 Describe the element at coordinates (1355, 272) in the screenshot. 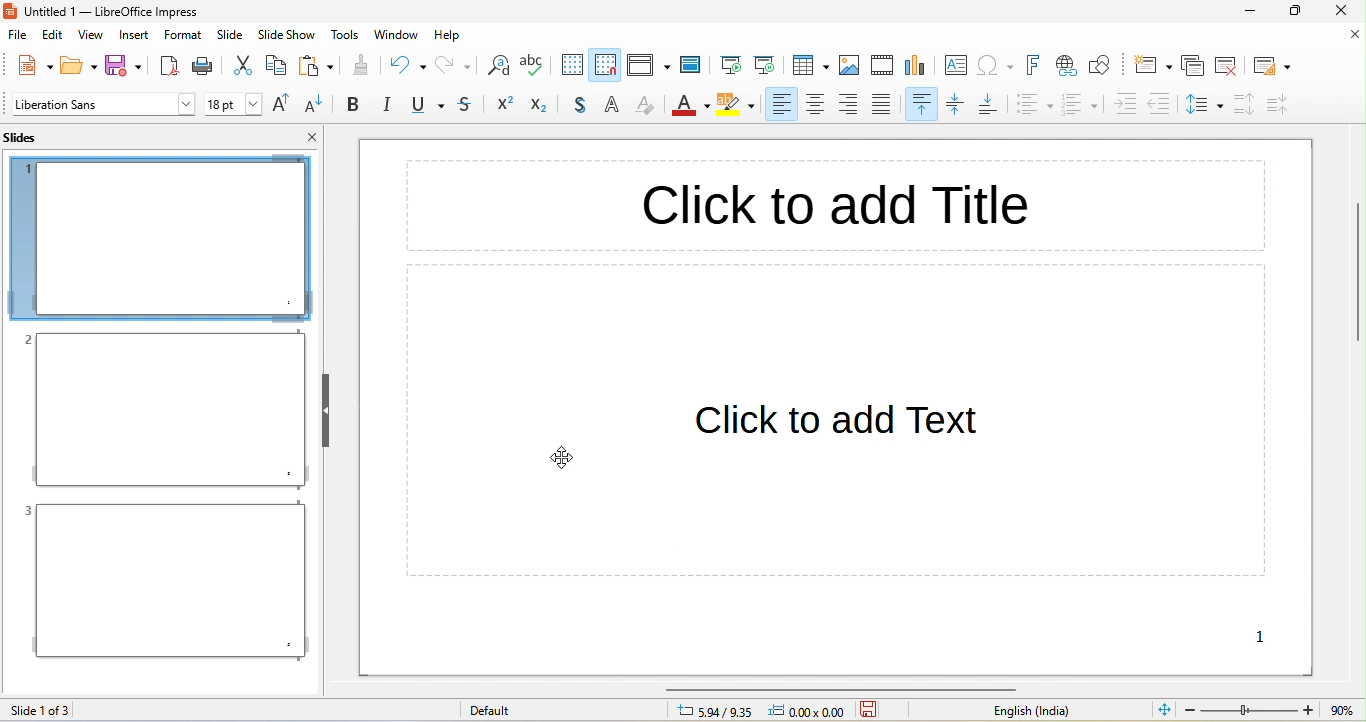

I see `vertical scroll bar` at that location.